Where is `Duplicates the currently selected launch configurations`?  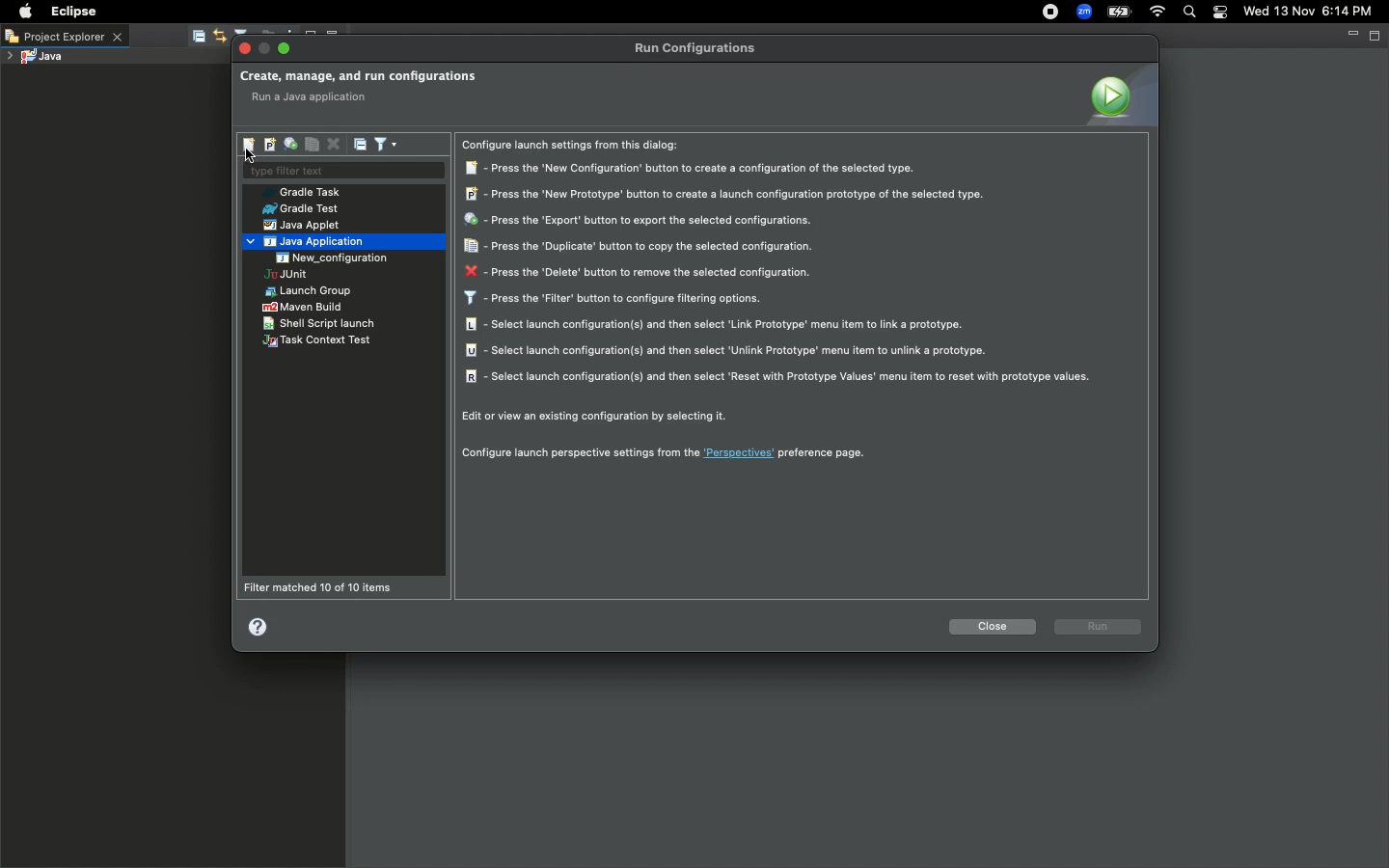
Duplicates the currently selected launch configurations is located at coordinates (312, 145).